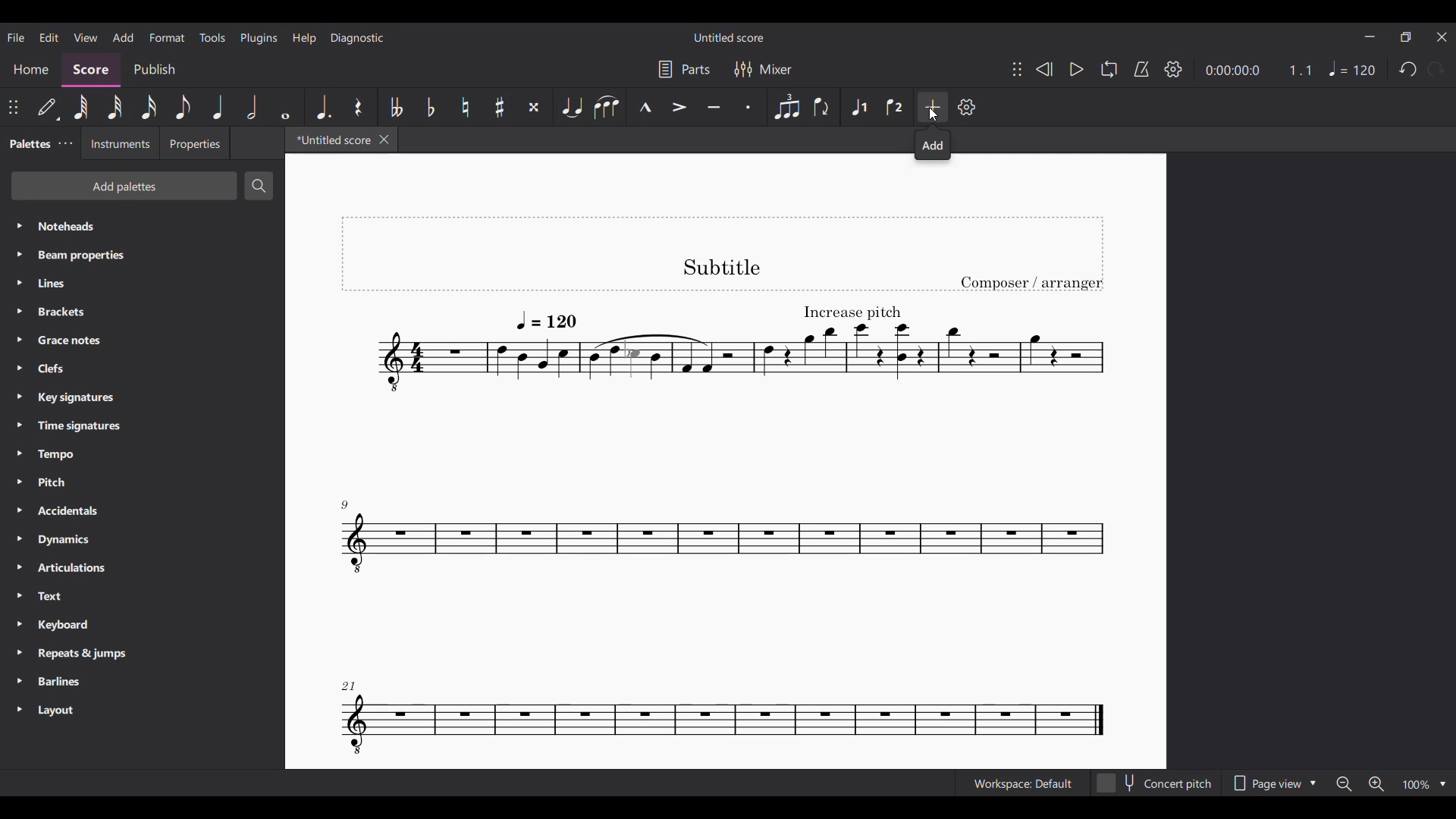  What do you see at coordinates (896, 107) in the screenshot?
I see `Voice 2` at bounding box center [896, 107].